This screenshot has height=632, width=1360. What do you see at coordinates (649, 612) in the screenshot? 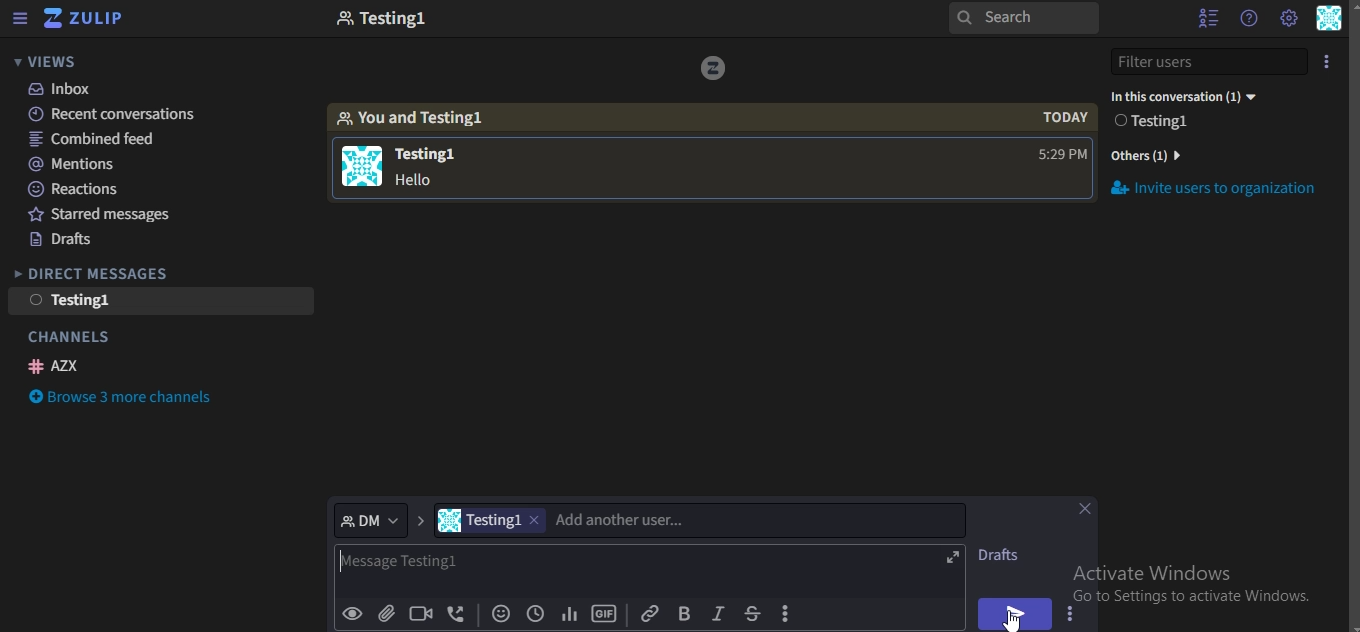
I see `link` at bounding box center [649, 612].